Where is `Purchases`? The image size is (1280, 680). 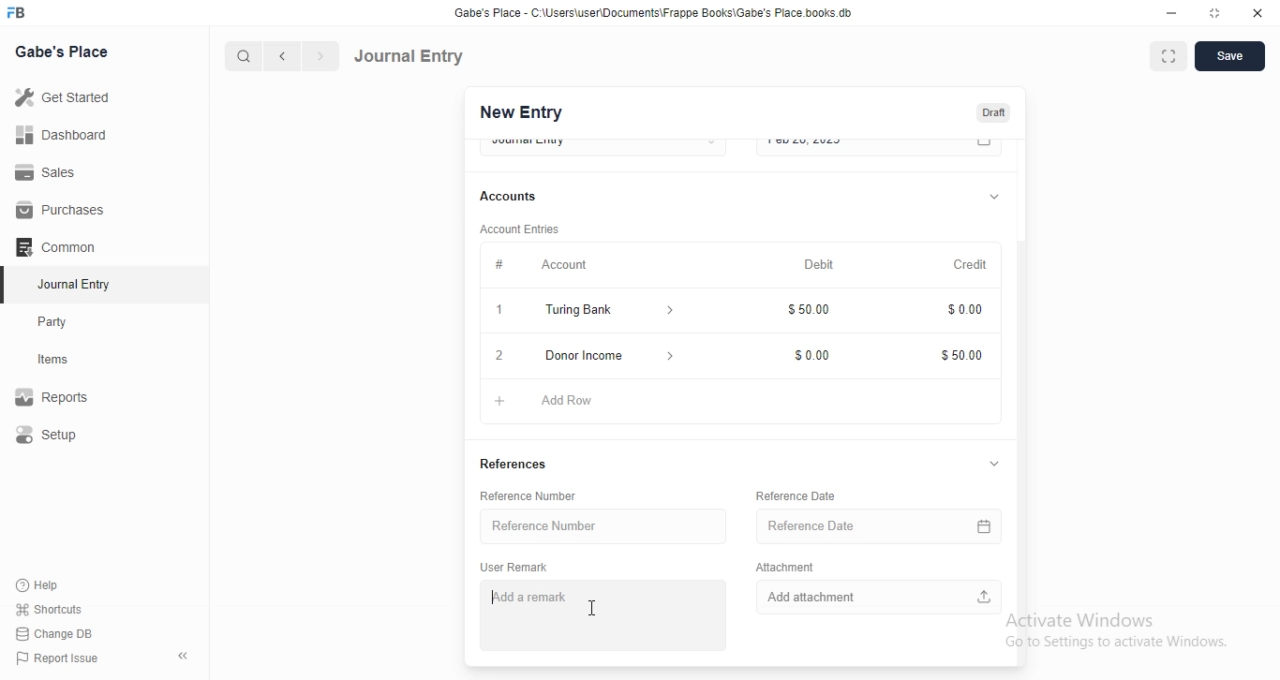 Purchases is located at coordinates (63, 210).